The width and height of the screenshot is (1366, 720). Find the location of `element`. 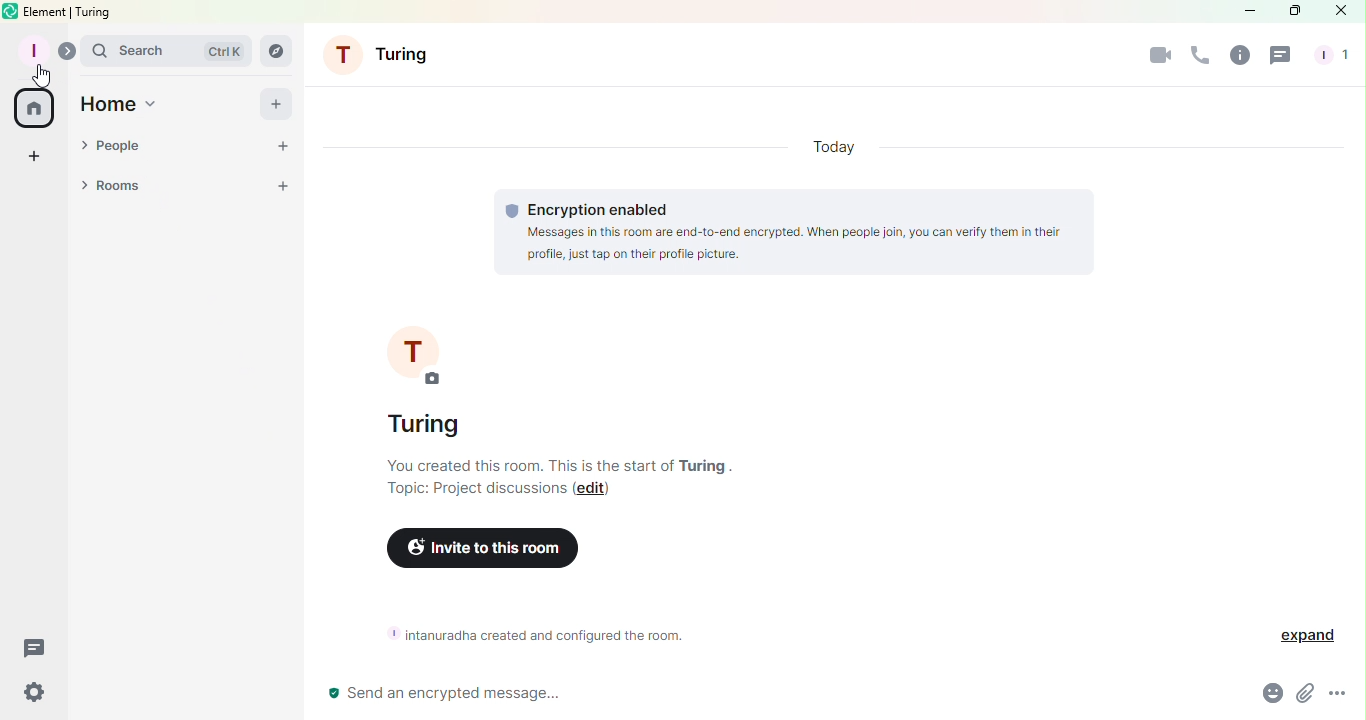

element is located at coordinates (47, 12).